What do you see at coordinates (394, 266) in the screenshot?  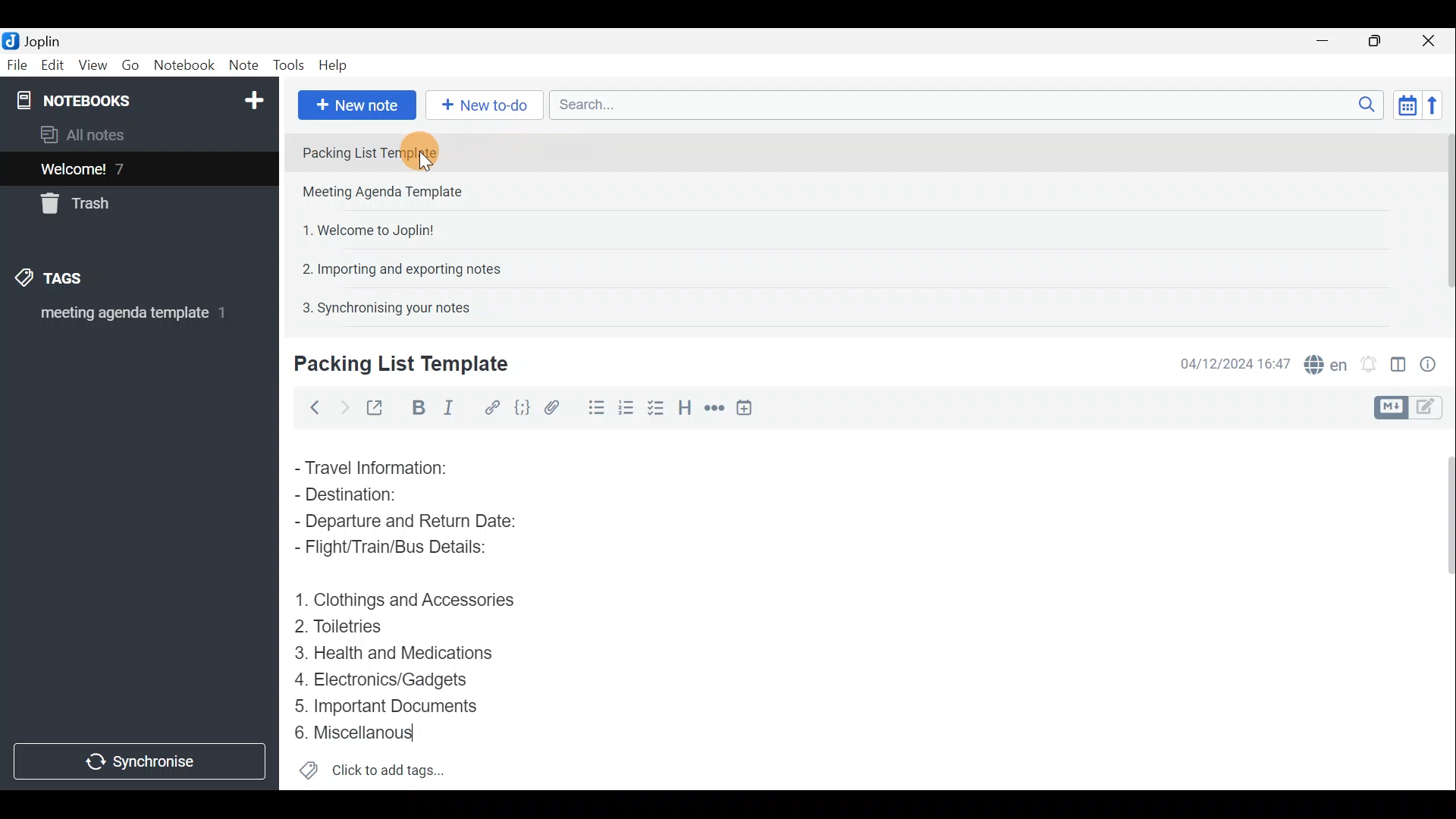 I see `Note 4` at bounding box center [394, 266].